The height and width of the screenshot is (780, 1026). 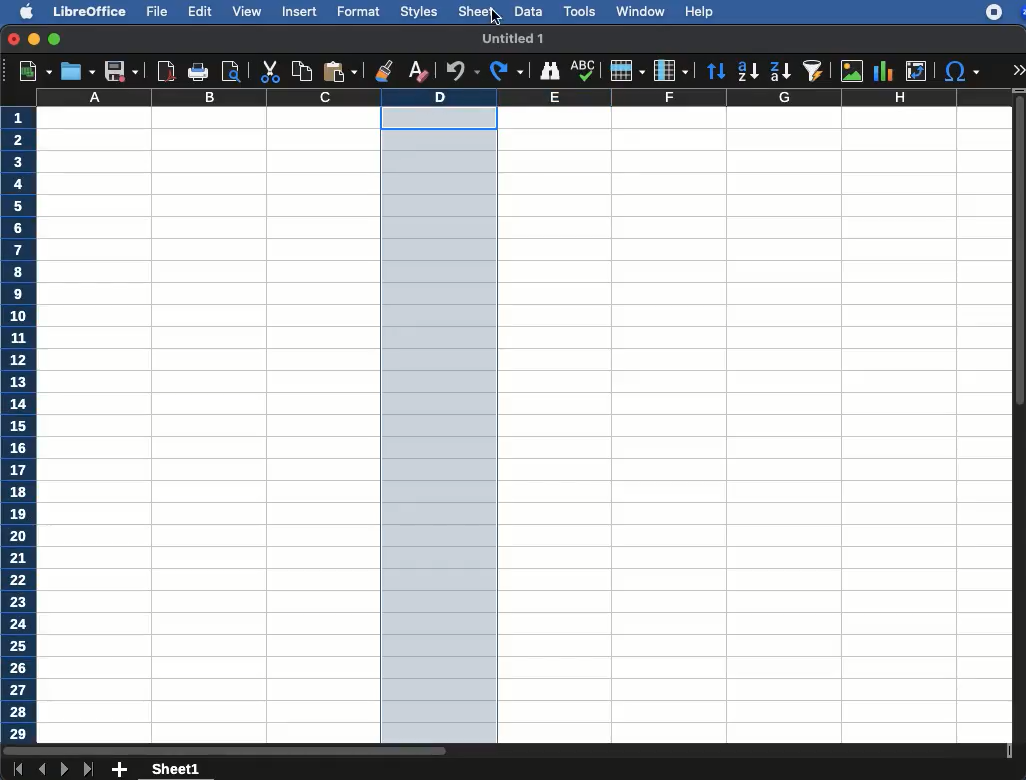 I want to click on find, so click(x=548, y=69).